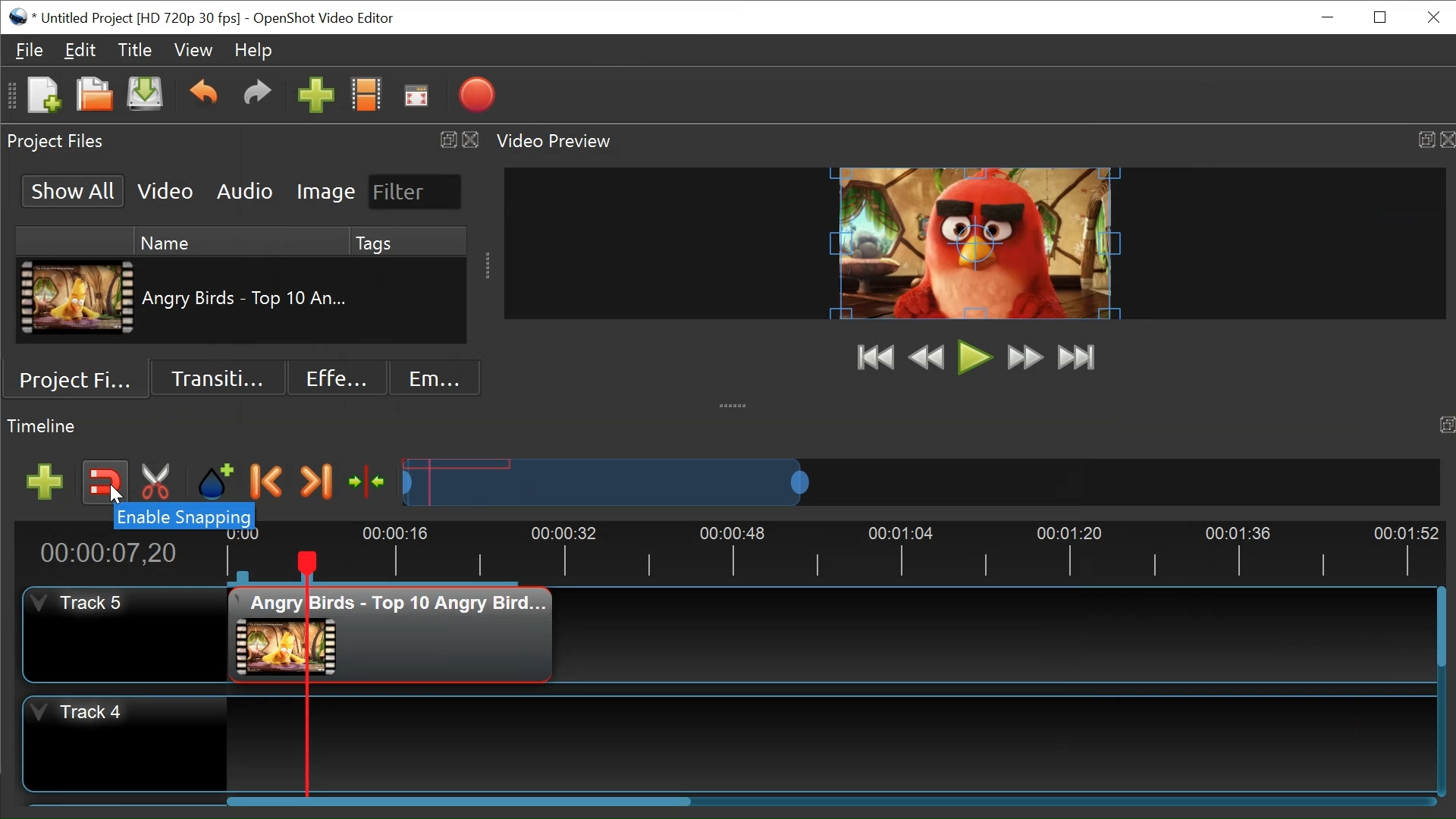  What do you see at coordinates (335, 379) in the screenshot?
I see `Effects` at bounding box center [335, 379].